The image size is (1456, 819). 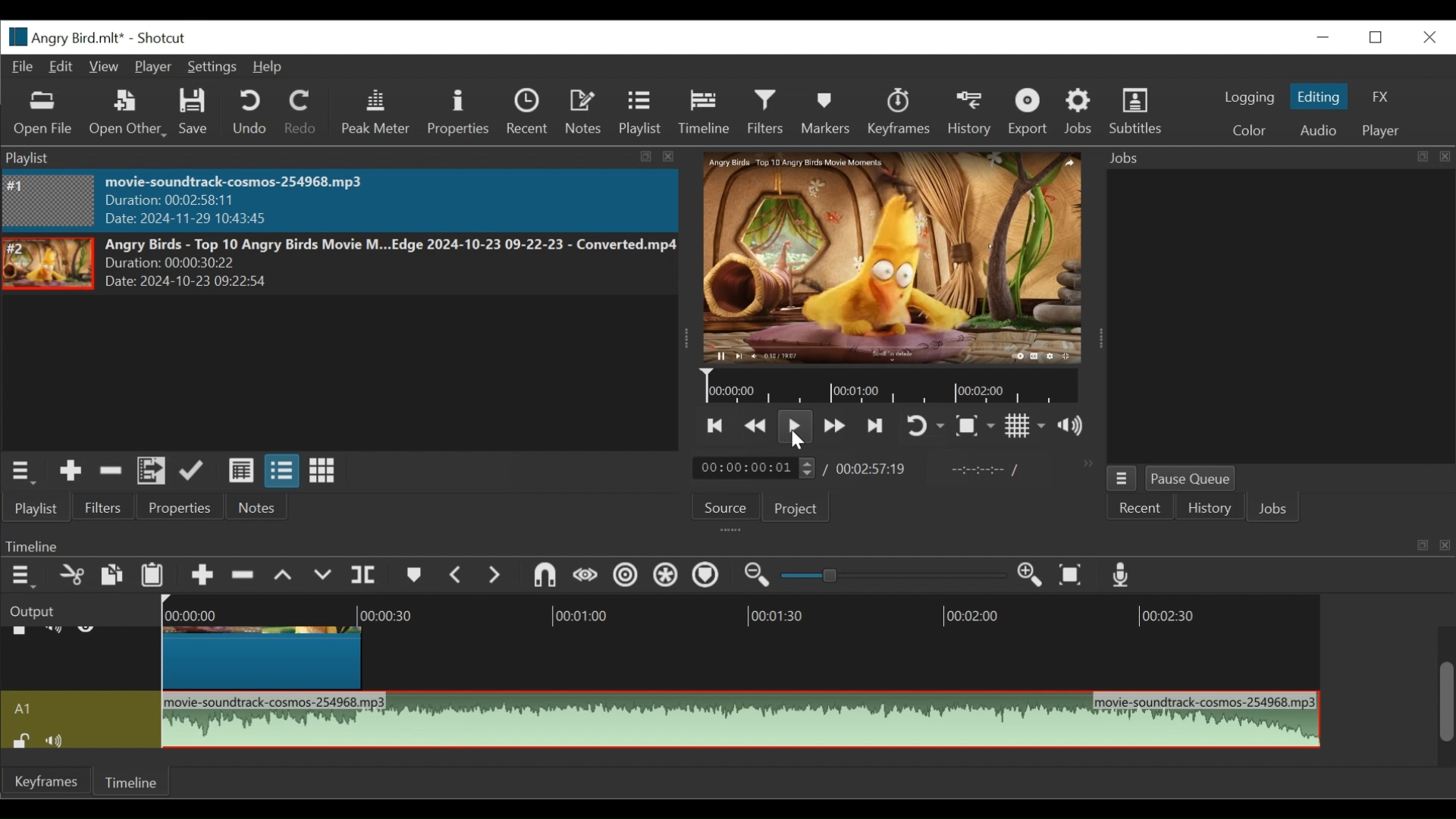 What do you see at coordinates (128, 114) in the screenshot?
I see `Open Other` at bounding box center [128, 114].